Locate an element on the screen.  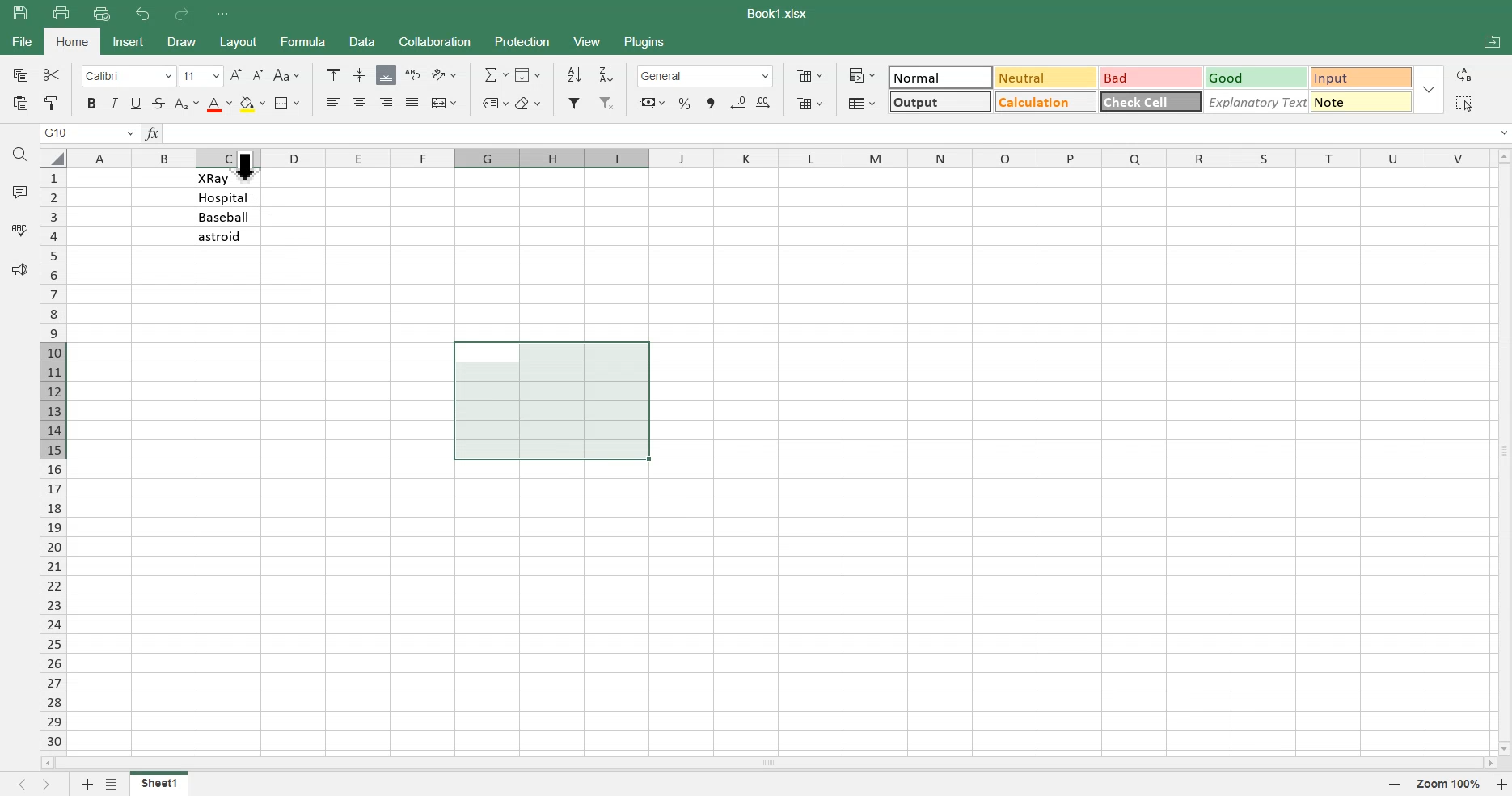
zoom 100% is located at coordinates (1451, 785).